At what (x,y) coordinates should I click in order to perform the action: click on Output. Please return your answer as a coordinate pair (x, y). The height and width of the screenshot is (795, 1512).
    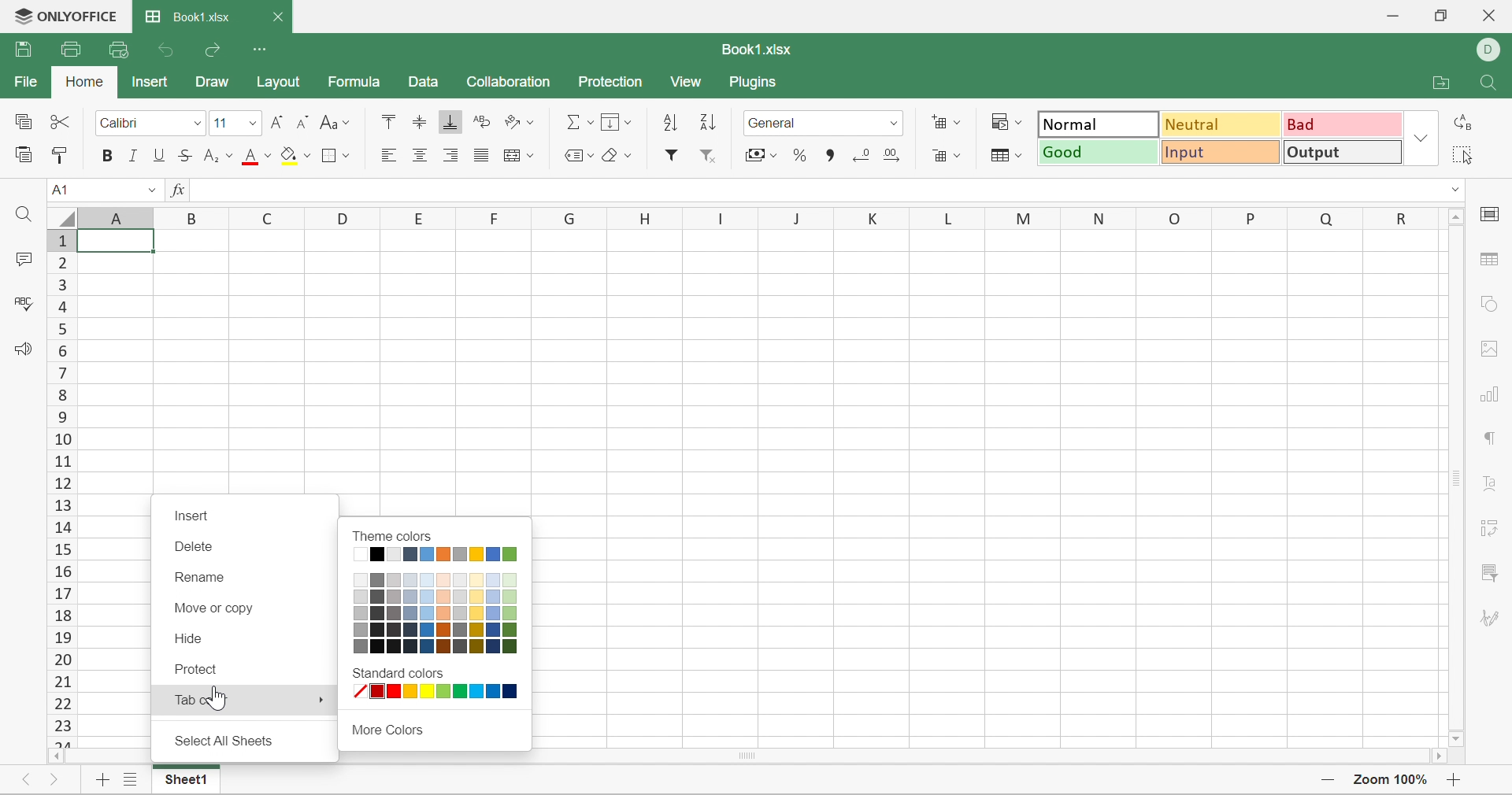
    Looking at the image, I should click on (1340, 151).